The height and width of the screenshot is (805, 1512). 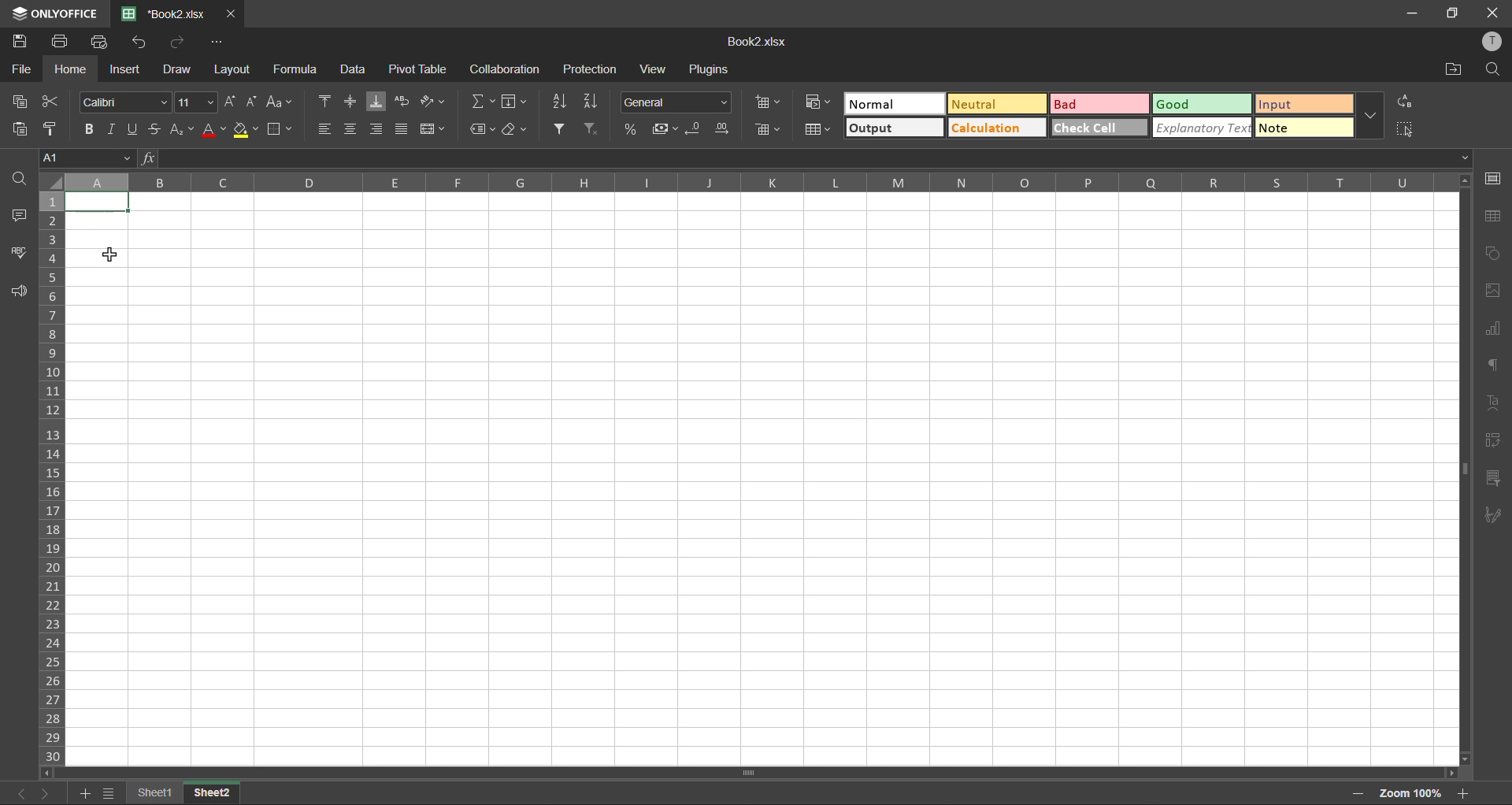 I want to click on print, so click(x=63, y=40).